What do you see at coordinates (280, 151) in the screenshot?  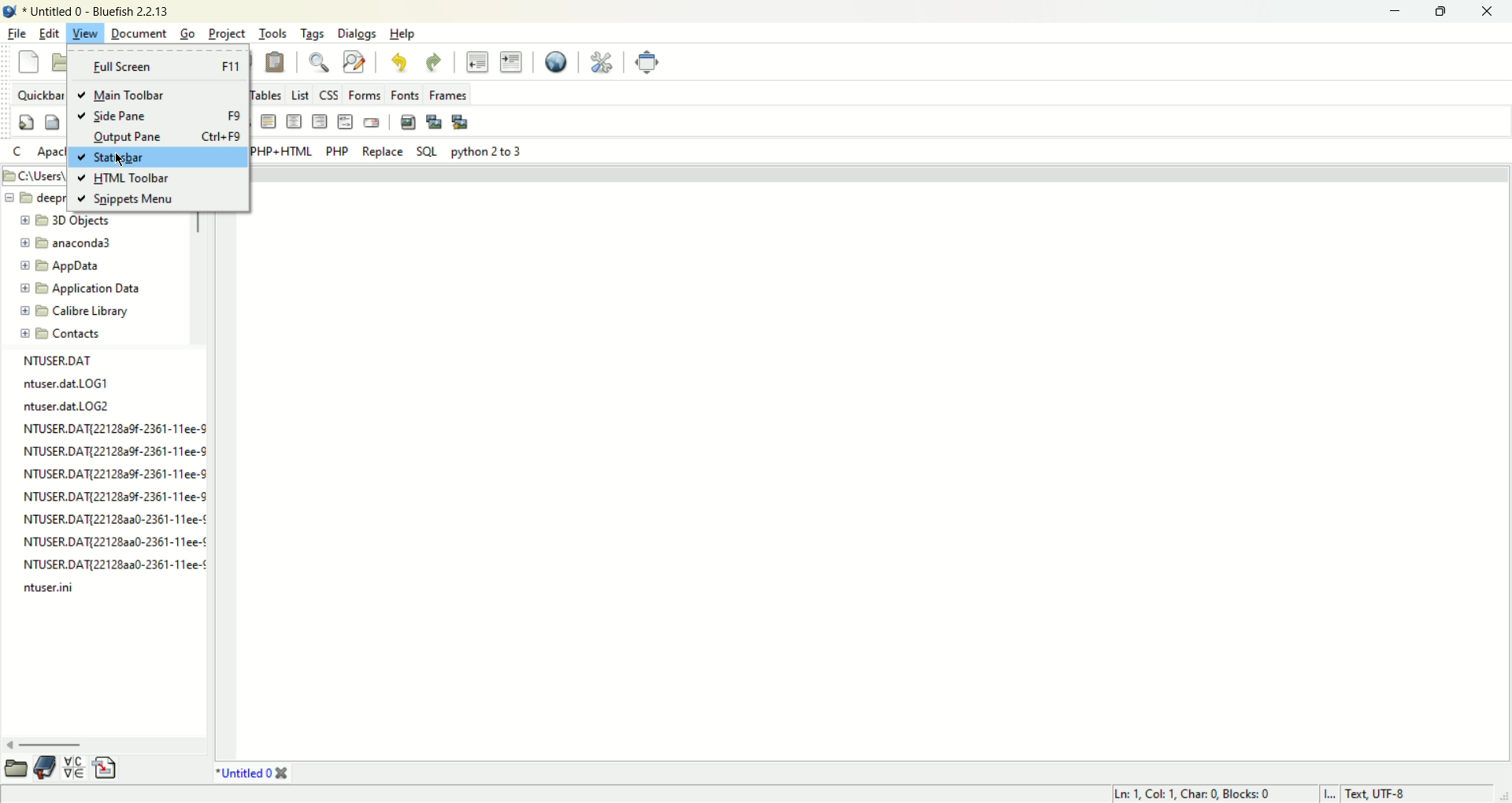 I see `PHP+HTML` at bounding box center [280, 151].